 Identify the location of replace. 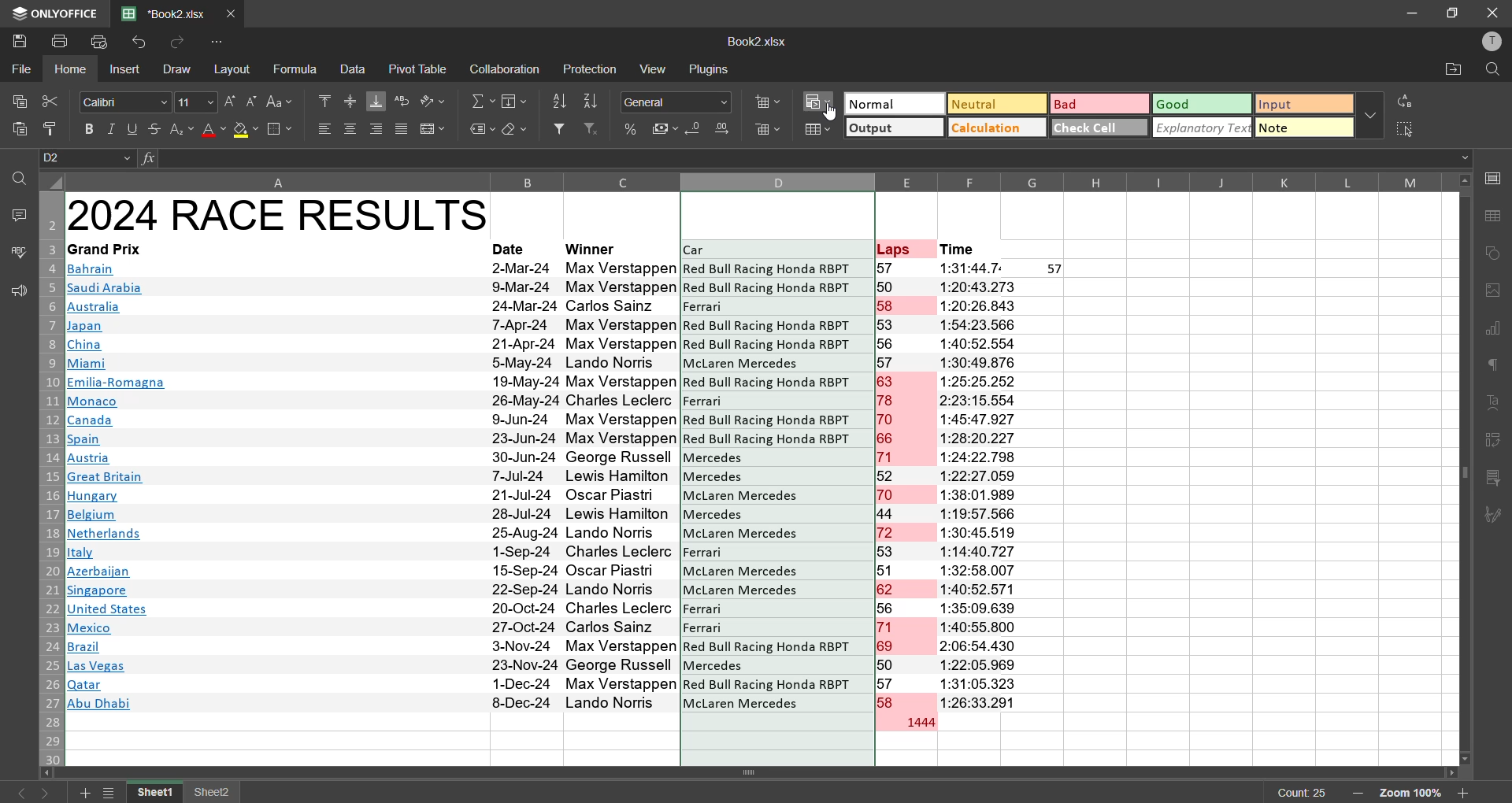
(1408, 101).